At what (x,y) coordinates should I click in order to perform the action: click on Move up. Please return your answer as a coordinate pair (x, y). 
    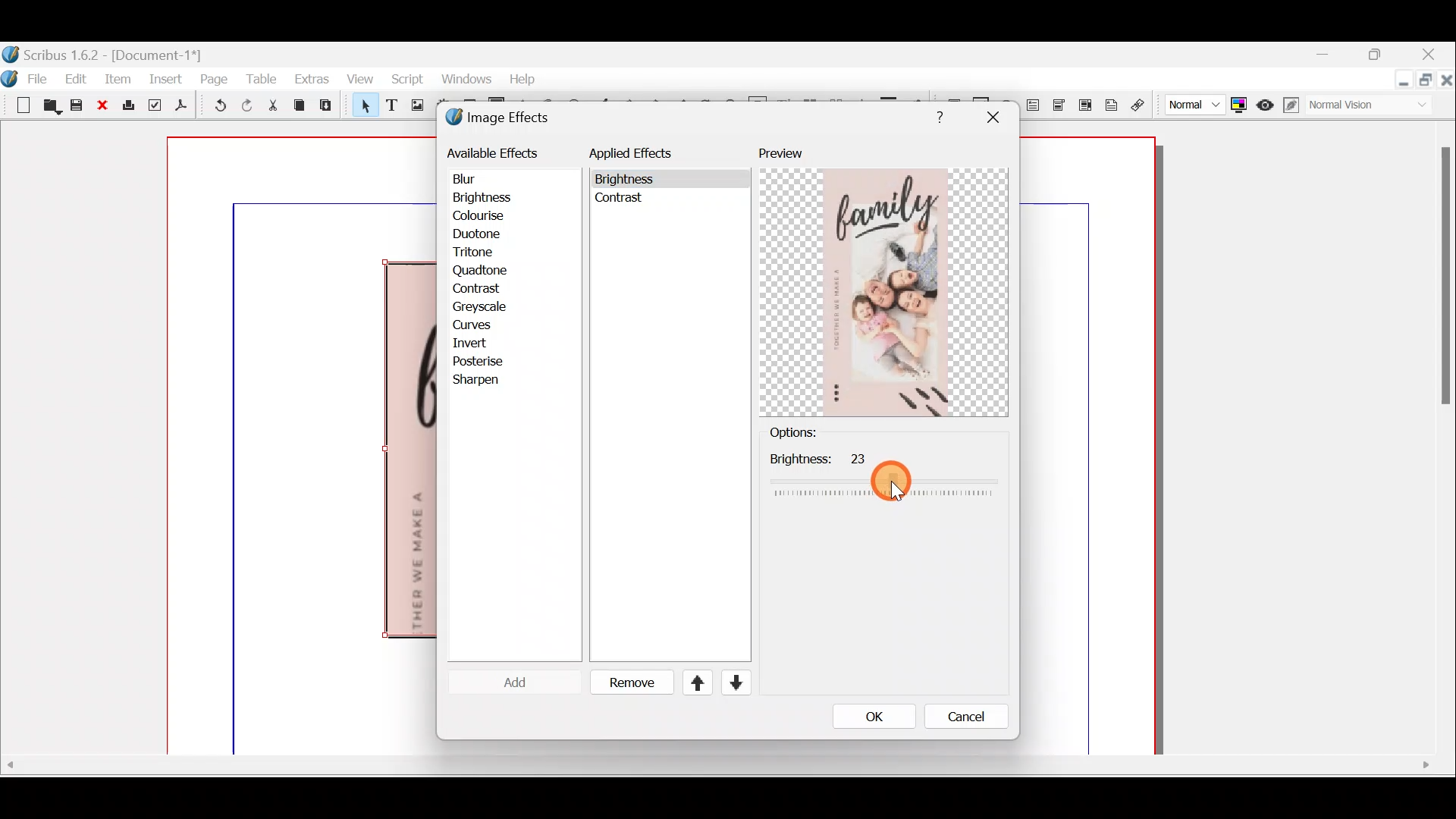
    Looking at the image, I should click on (691, 682).